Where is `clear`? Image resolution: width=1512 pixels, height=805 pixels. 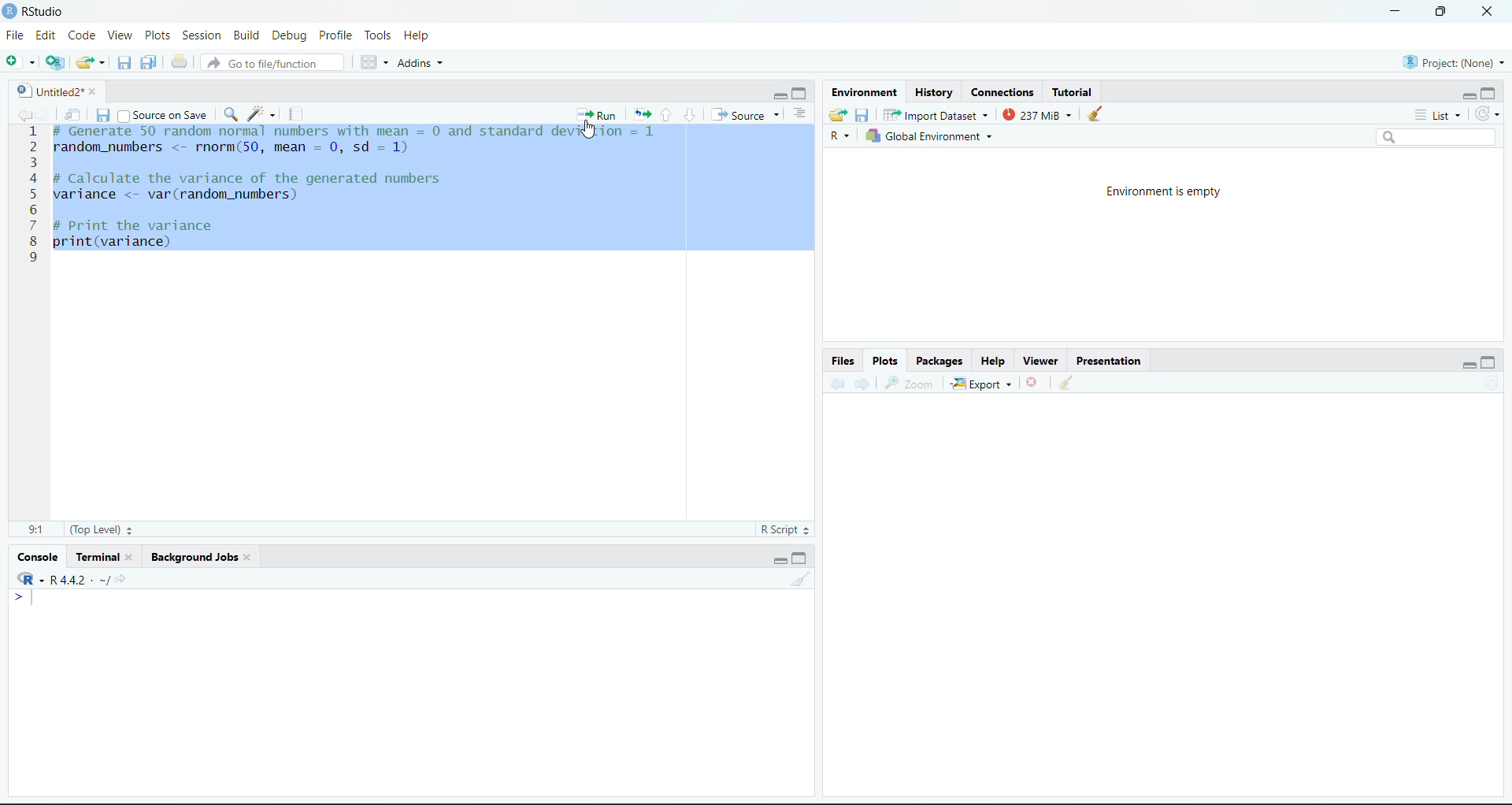 clear is located at coordinates (800, 579).